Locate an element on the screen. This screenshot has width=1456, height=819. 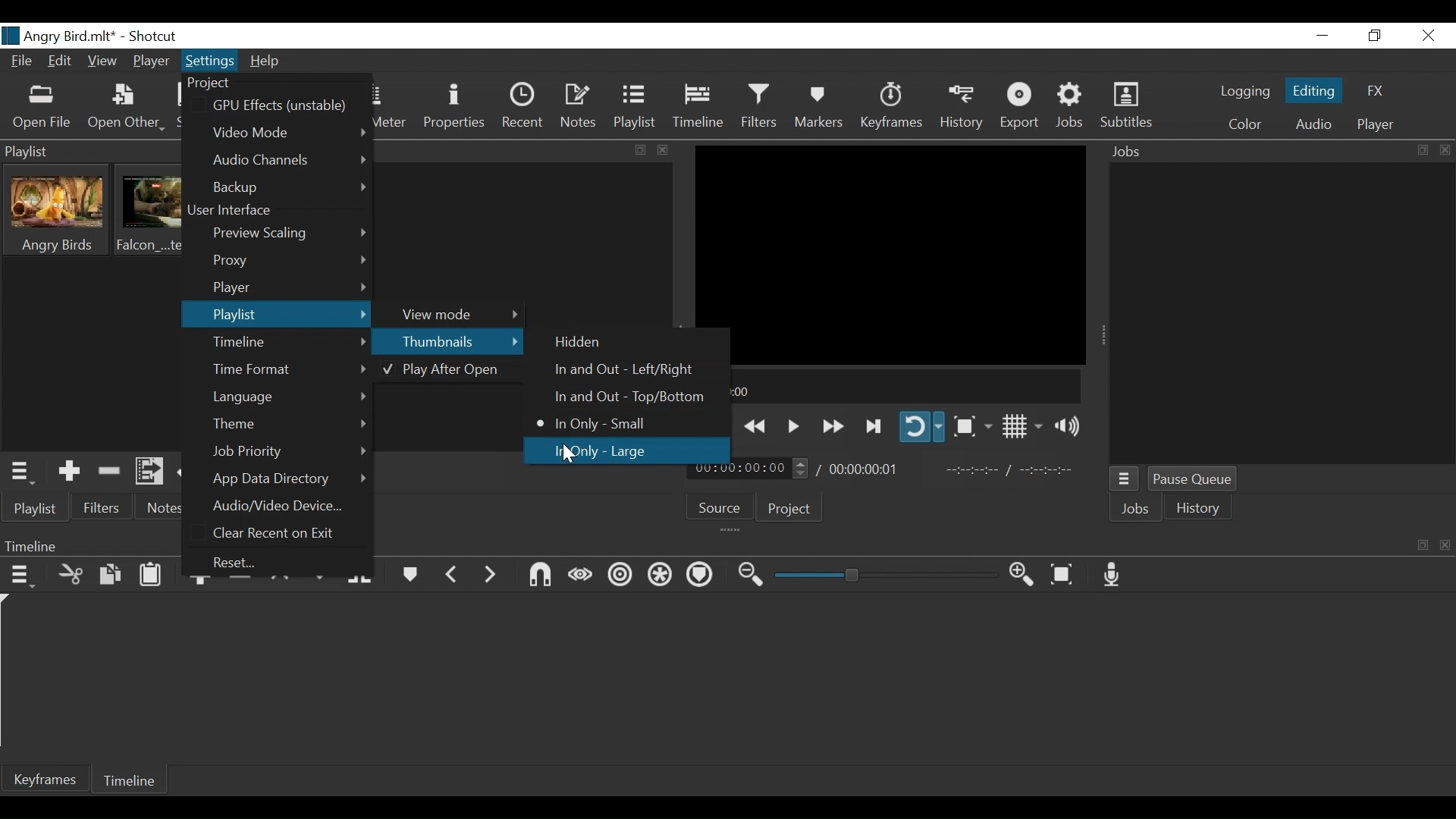
Play quickly backward is located at coordinates (756, 426).